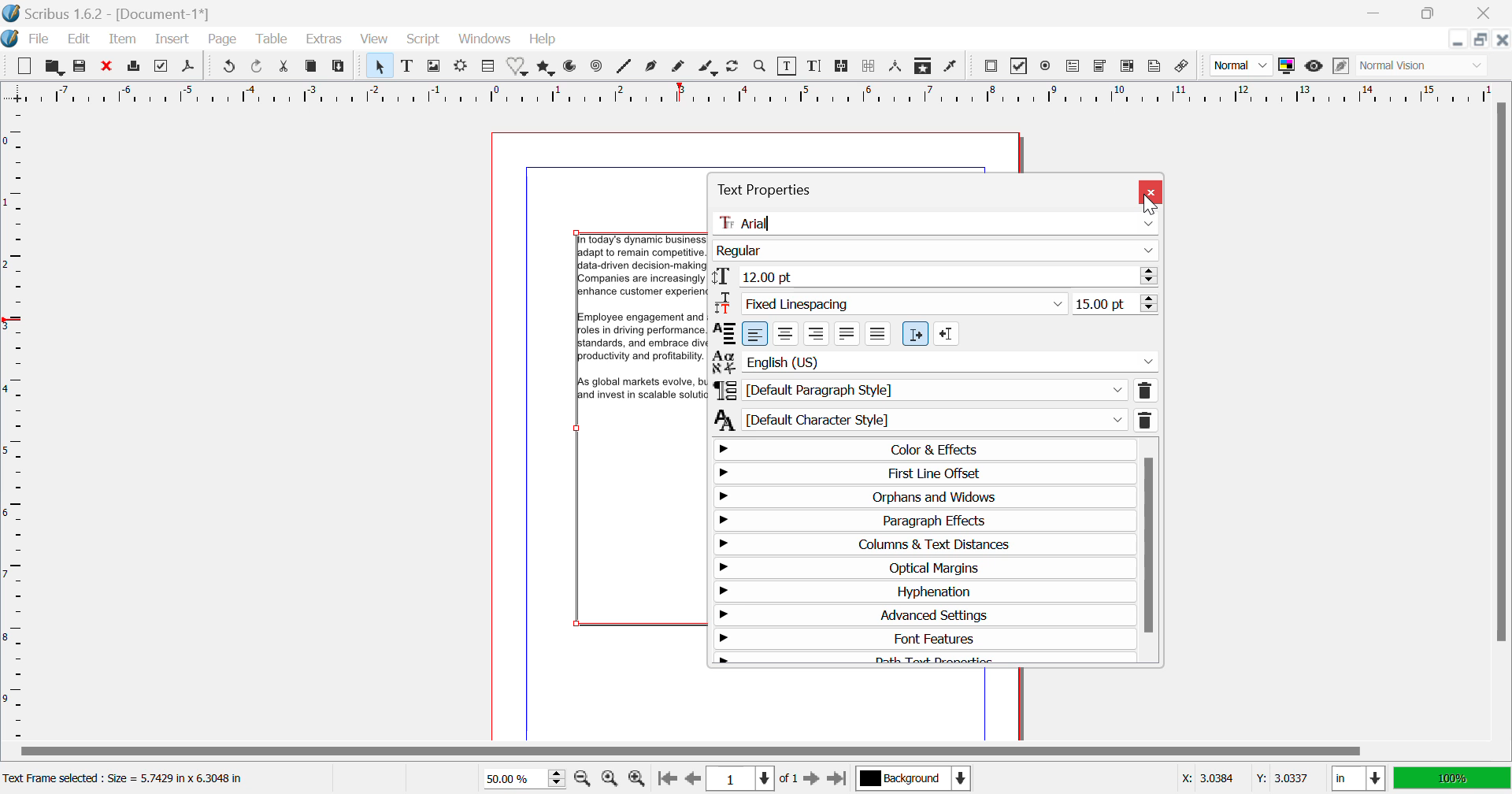 Image resolution: width=1512 pixels, height=794 pixels. I want to click on Redo, so click(259, 66).